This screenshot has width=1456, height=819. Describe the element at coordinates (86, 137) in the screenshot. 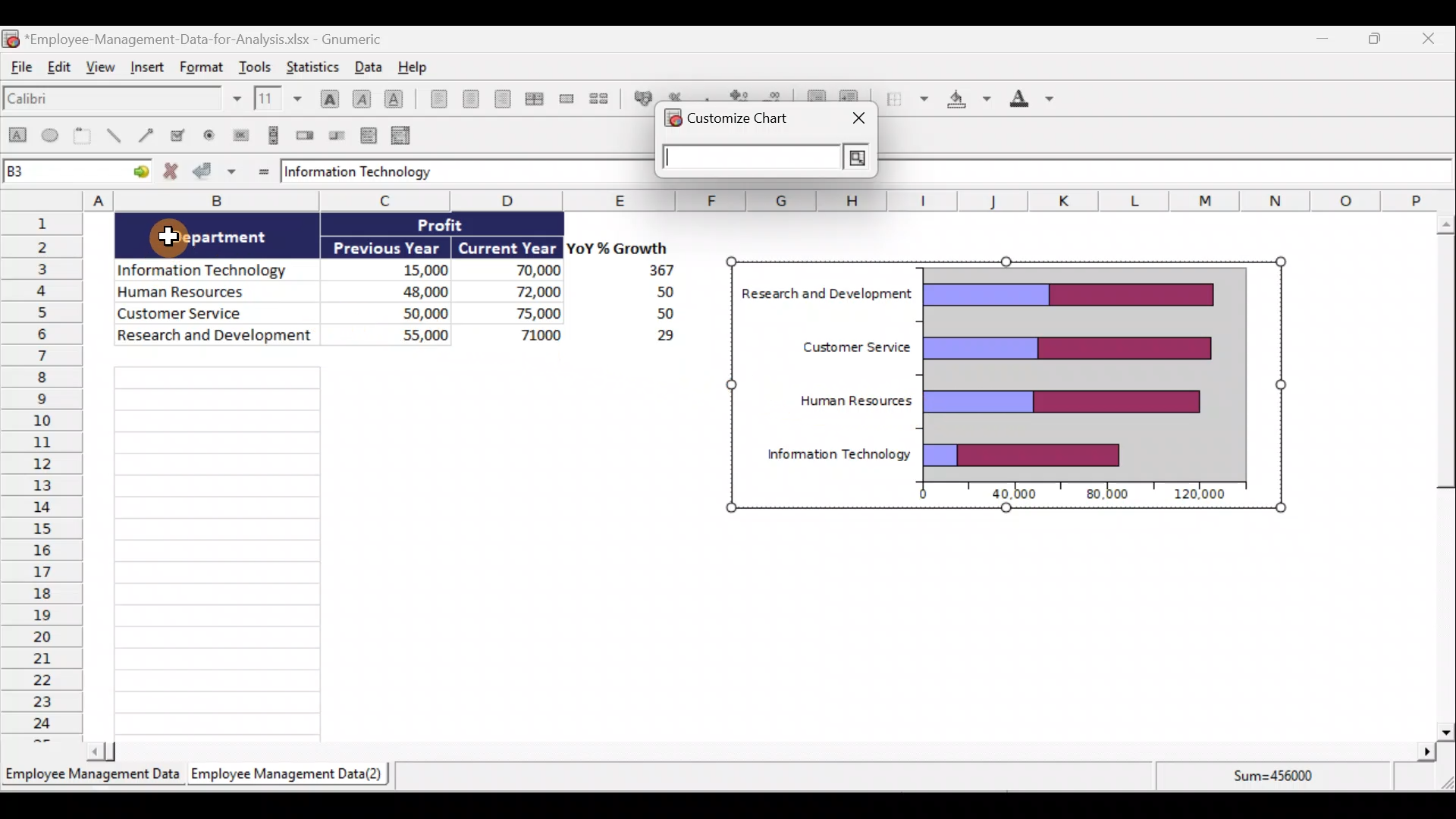

I see `Create a frame` at that location.